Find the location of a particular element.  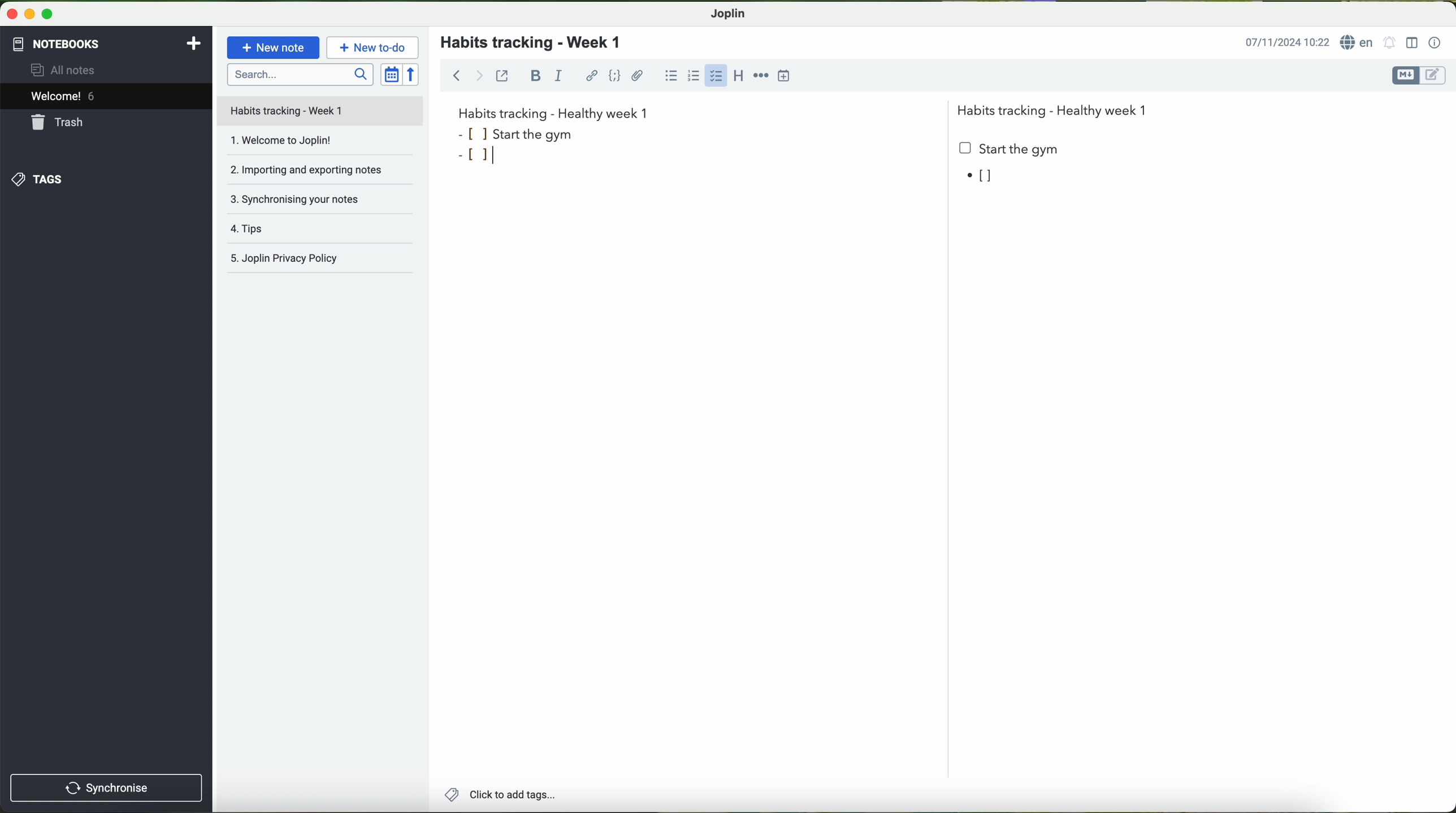

bold is located at coordinates (536, 76).